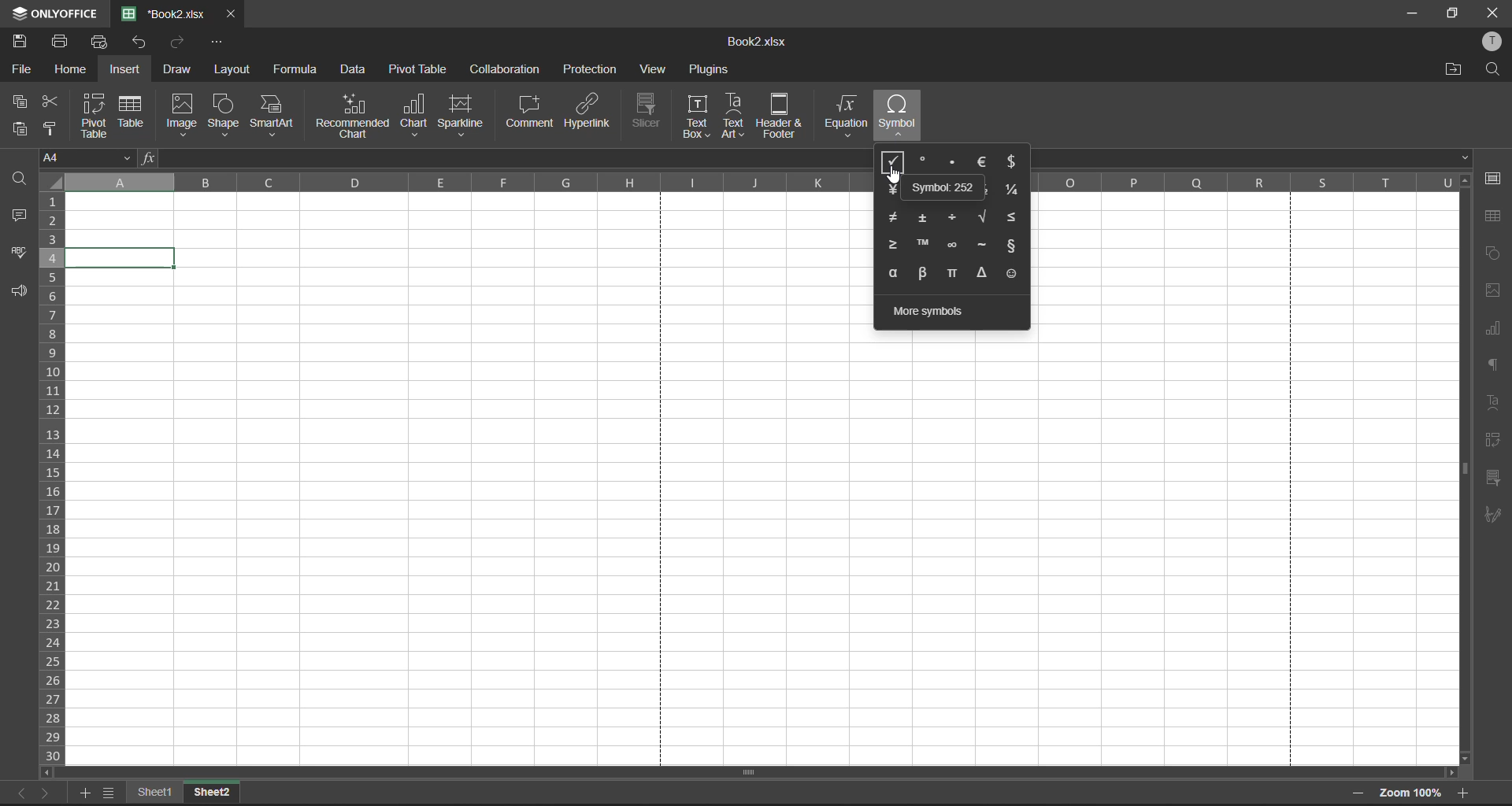 Image resolution: width=1512 pixels, height=806 pixels. Describe the element at coordinates (1494, 513) in the screenshot. I see `signature` at that location.